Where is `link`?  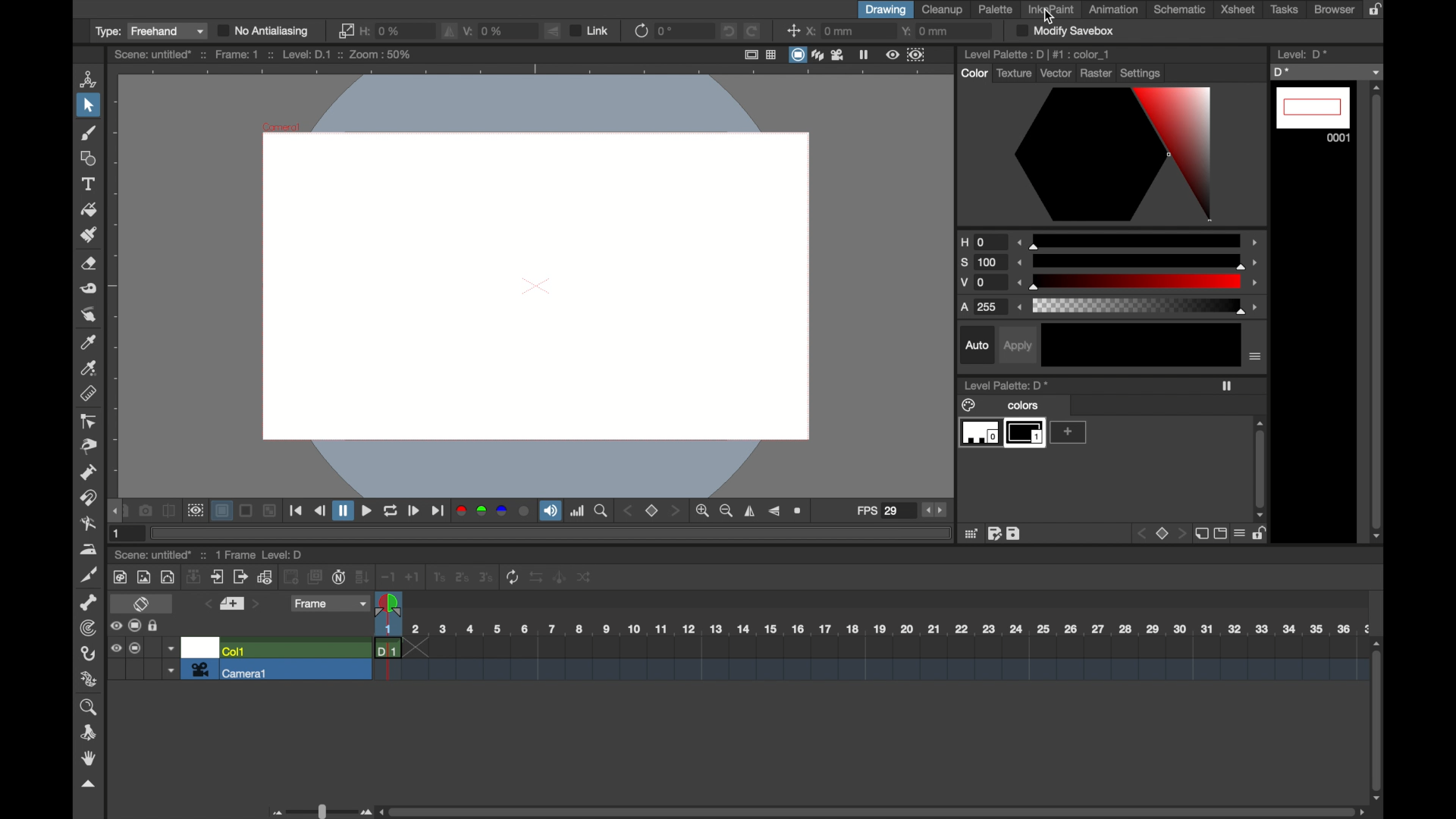 link is located at coordinates (347, 30).